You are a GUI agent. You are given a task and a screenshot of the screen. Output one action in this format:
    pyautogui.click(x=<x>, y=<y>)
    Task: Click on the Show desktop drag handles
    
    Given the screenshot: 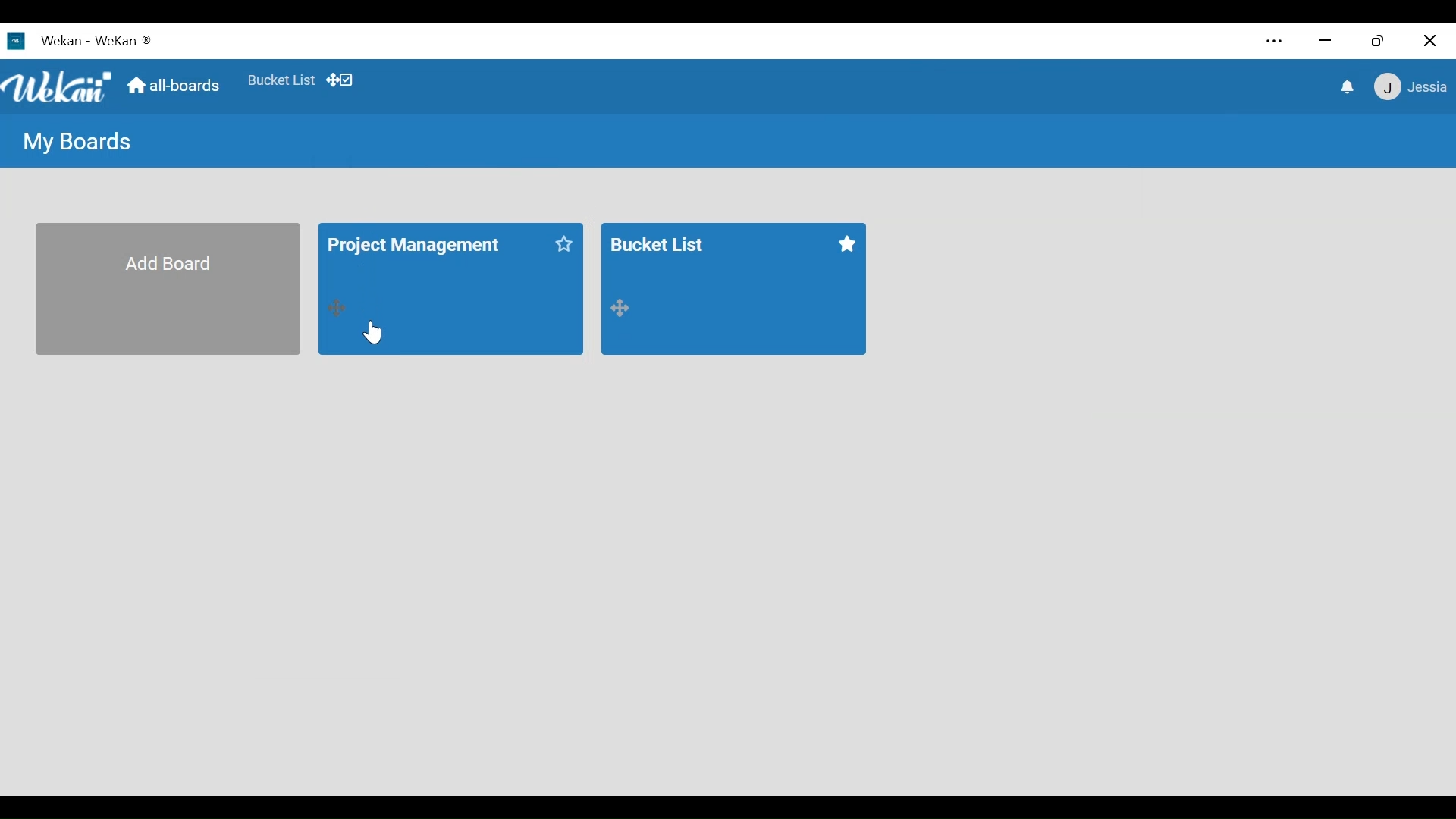 What is the action you would take?
    pyautogui.click(x=344, y=80)
    